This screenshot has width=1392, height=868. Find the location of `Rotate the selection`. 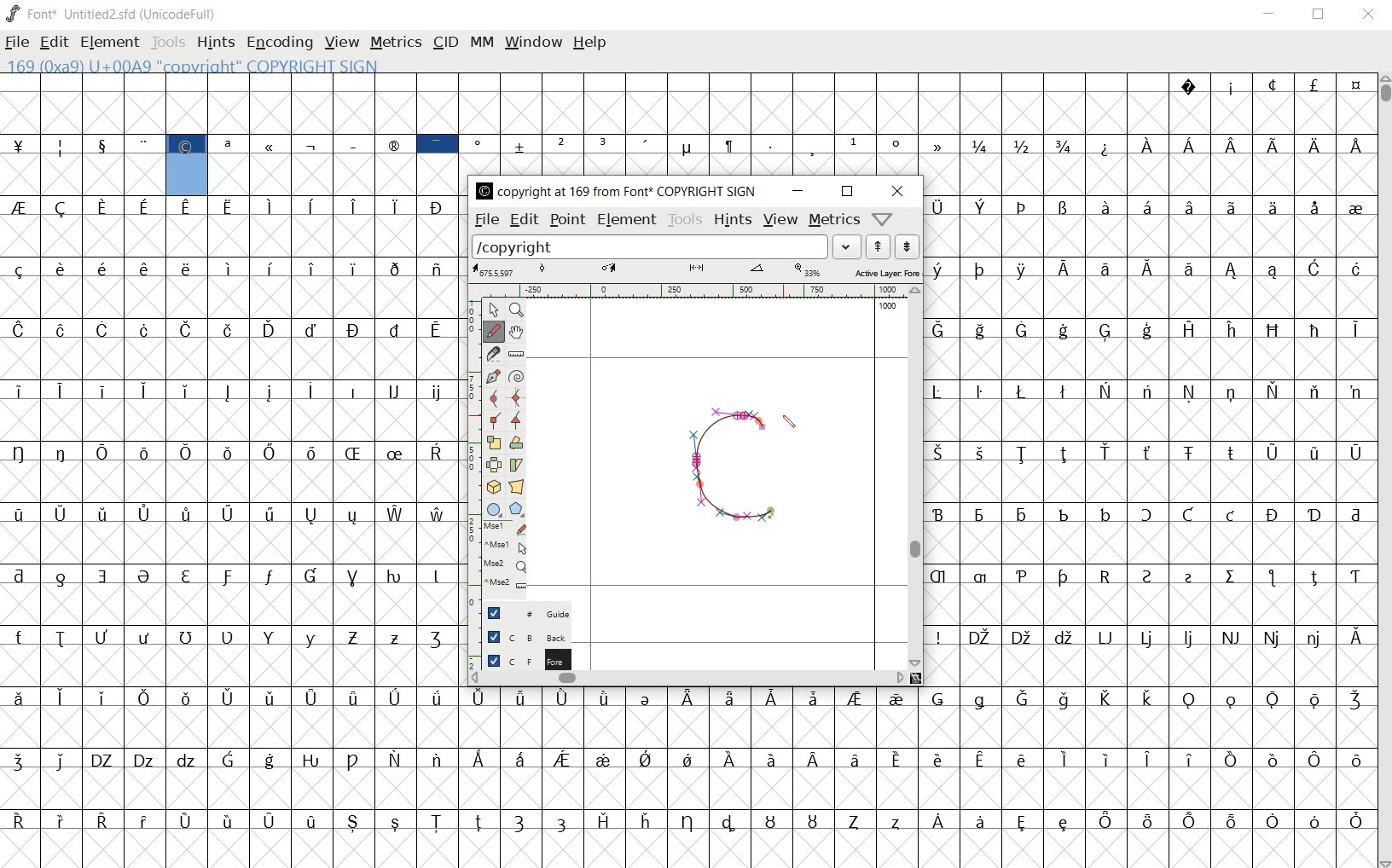

Rotate the selection is located at coordinates (517, 444).